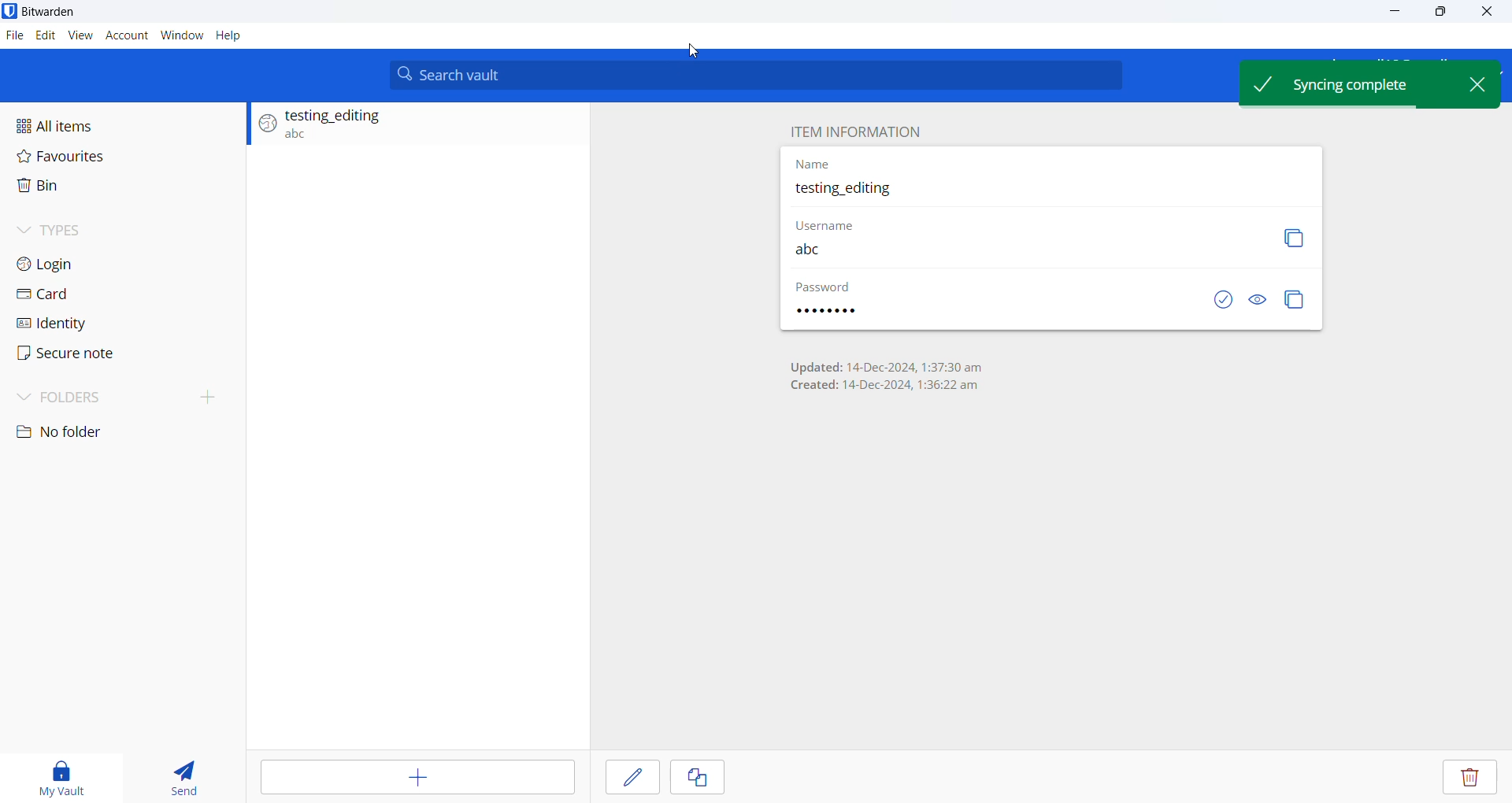 This screenshot has width=1512, height=803. I want to click on Item information heading, so click(859, 131).